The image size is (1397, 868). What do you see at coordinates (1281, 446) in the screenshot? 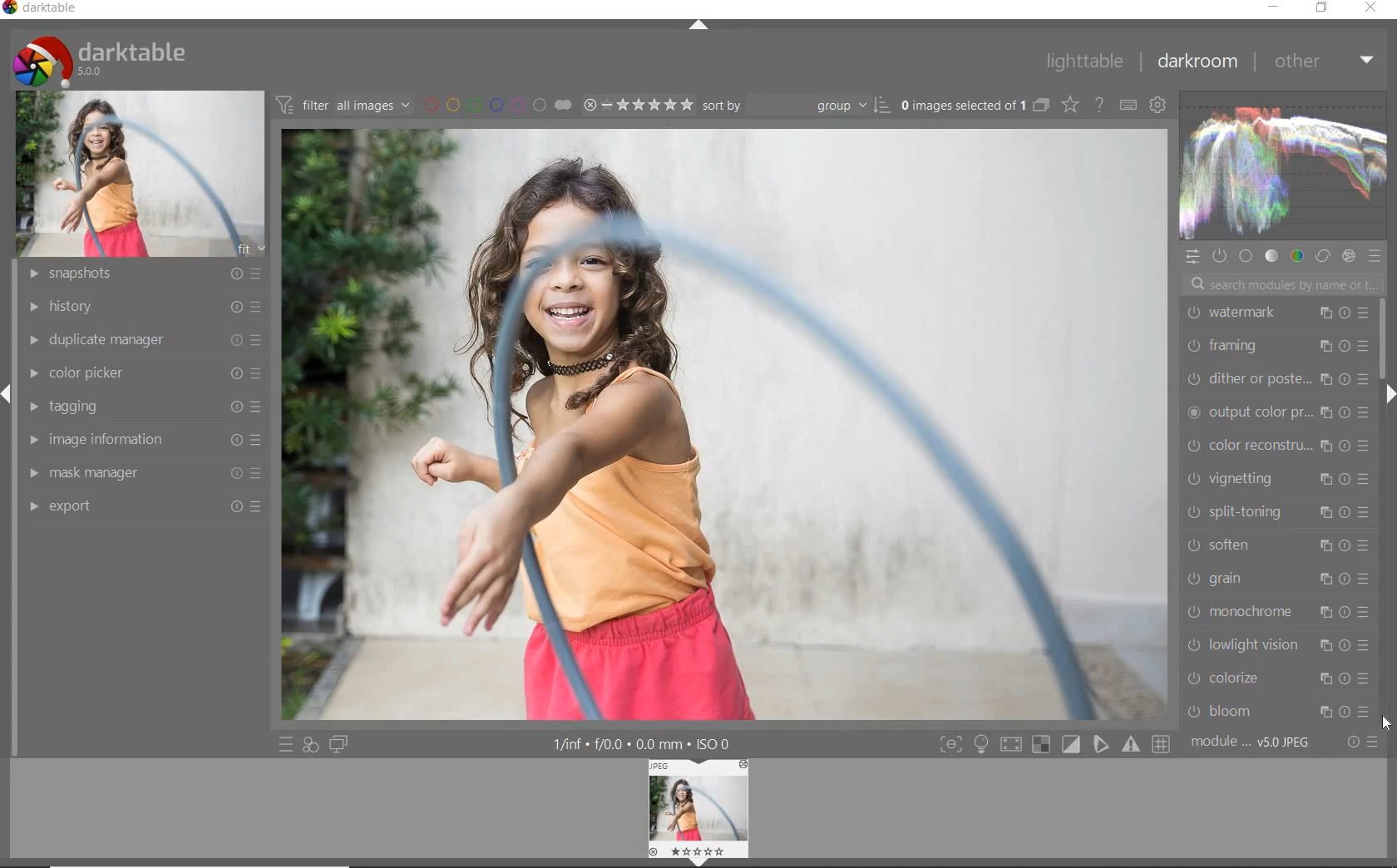
I see `color reconstruction` at bounding box center [1281, 446].